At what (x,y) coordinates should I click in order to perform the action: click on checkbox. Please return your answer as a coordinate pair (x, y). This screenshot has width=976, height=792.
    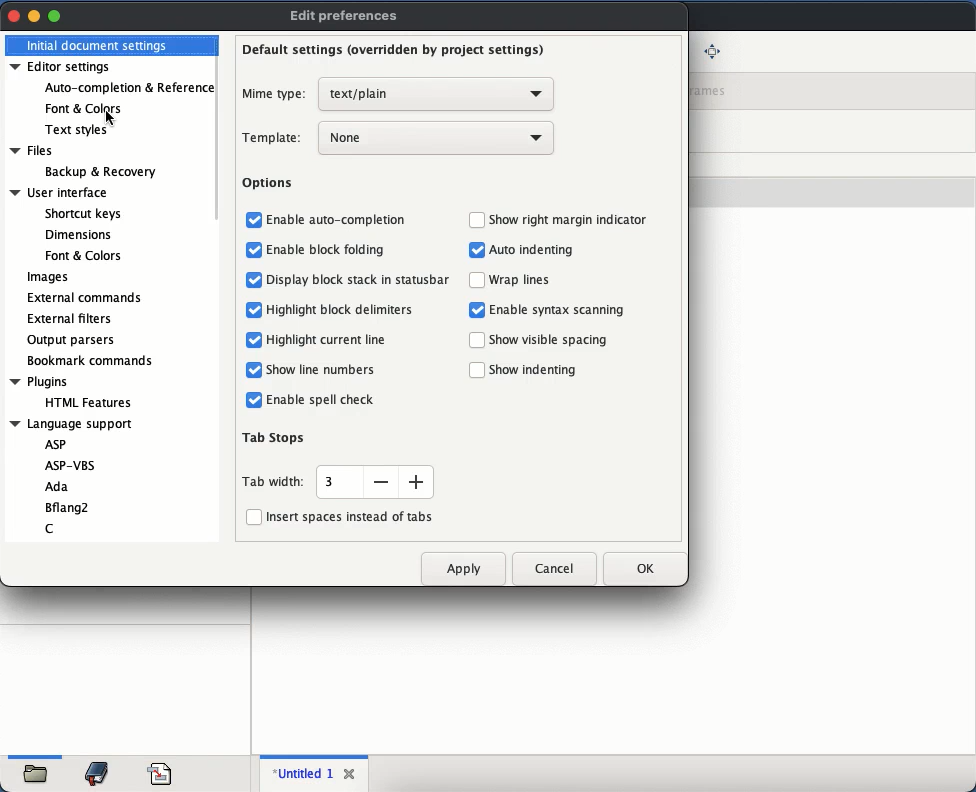
    Looking at the image, I should click on (252, 400).